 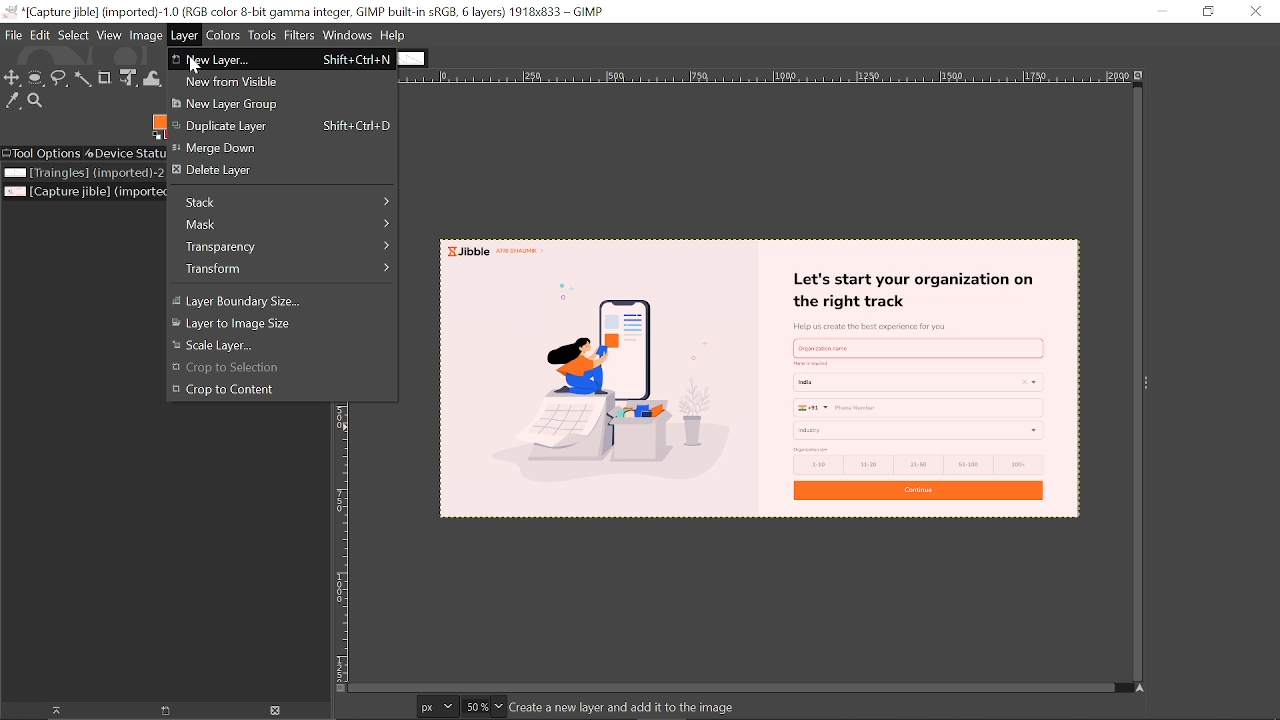 What do you see at coordinates (84, 173) in the screenshot?
I see `Image file titled "Triangles"` at bounding box center [84, 173].